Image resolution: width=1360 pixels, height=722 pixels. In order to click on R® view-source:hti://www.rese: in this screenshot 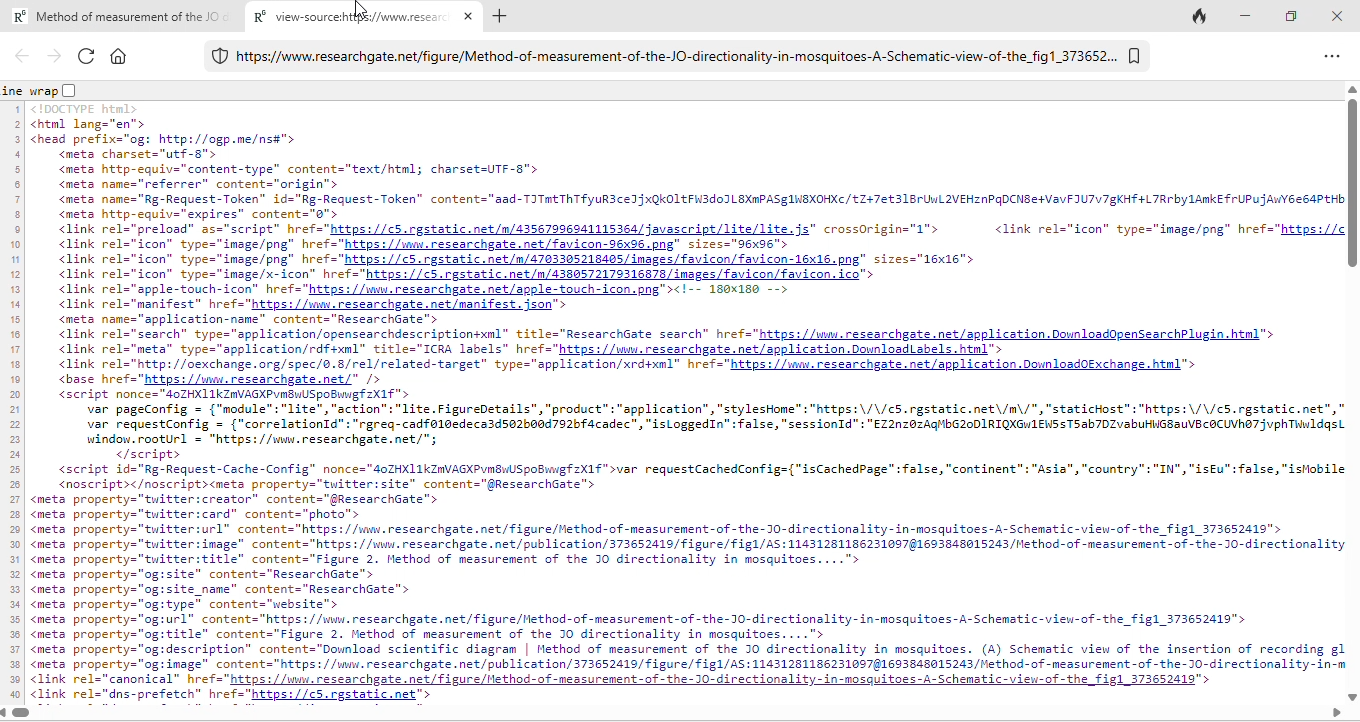, I will do `click(348, 18)`.